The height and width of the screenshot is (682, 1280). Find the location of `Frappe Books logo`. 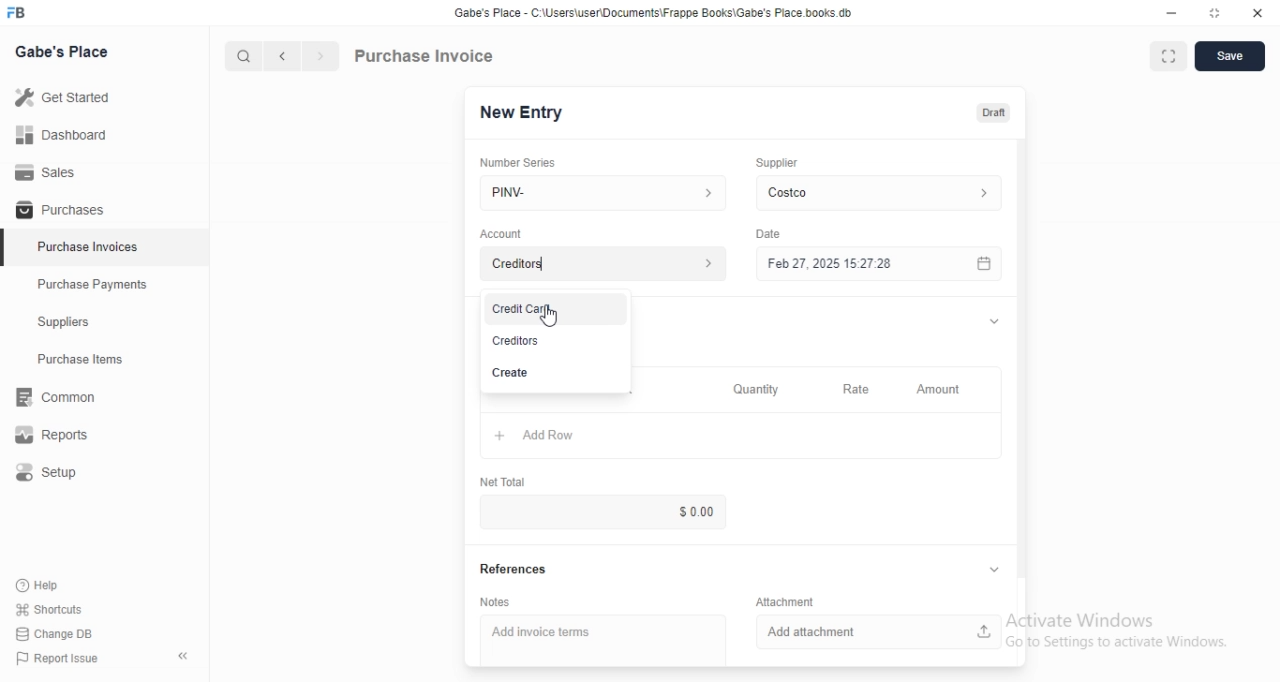

Frappe Books logo is located at coordinates (15, 12).